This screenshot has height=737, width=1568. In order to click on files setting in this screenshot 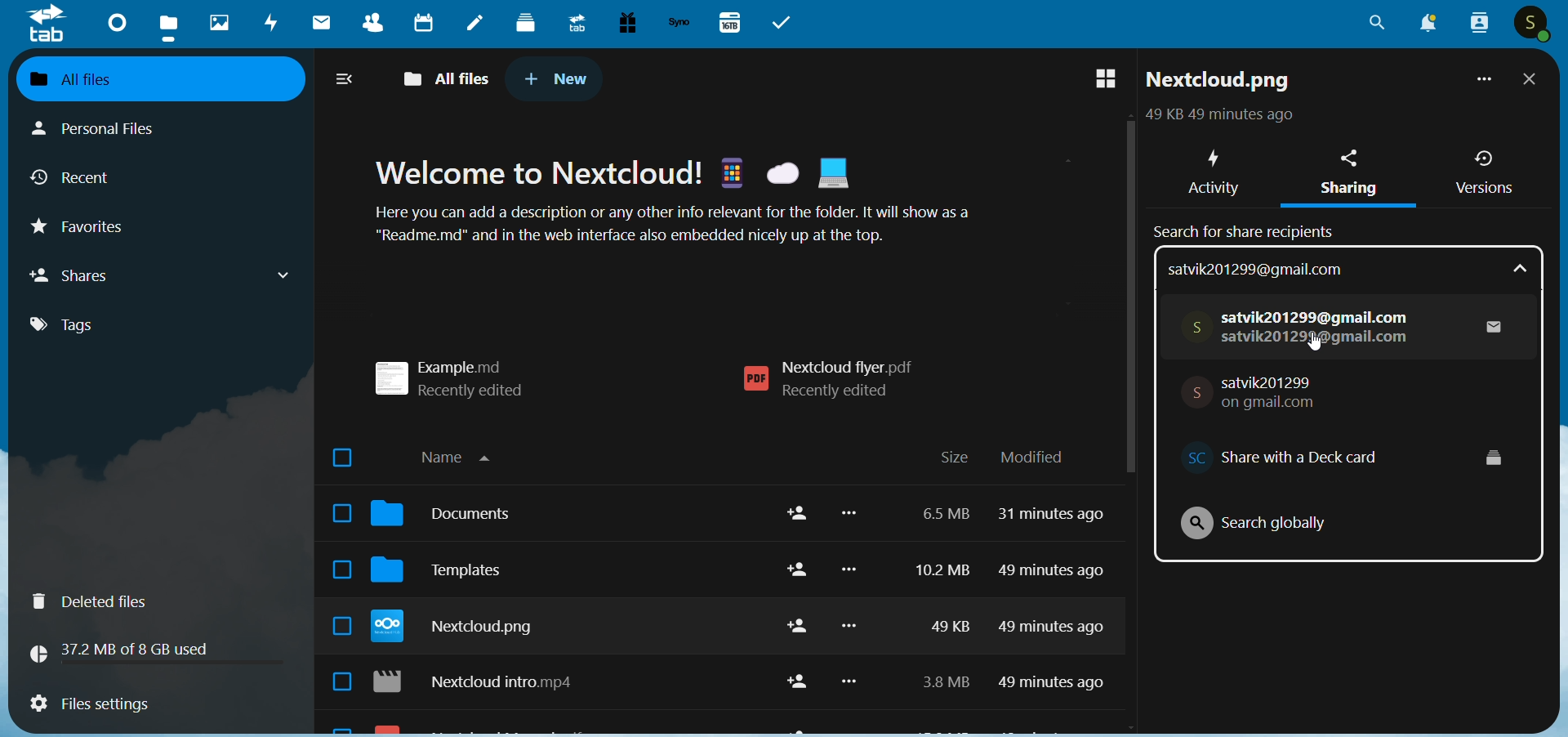, I will do `click(89, 706)`.